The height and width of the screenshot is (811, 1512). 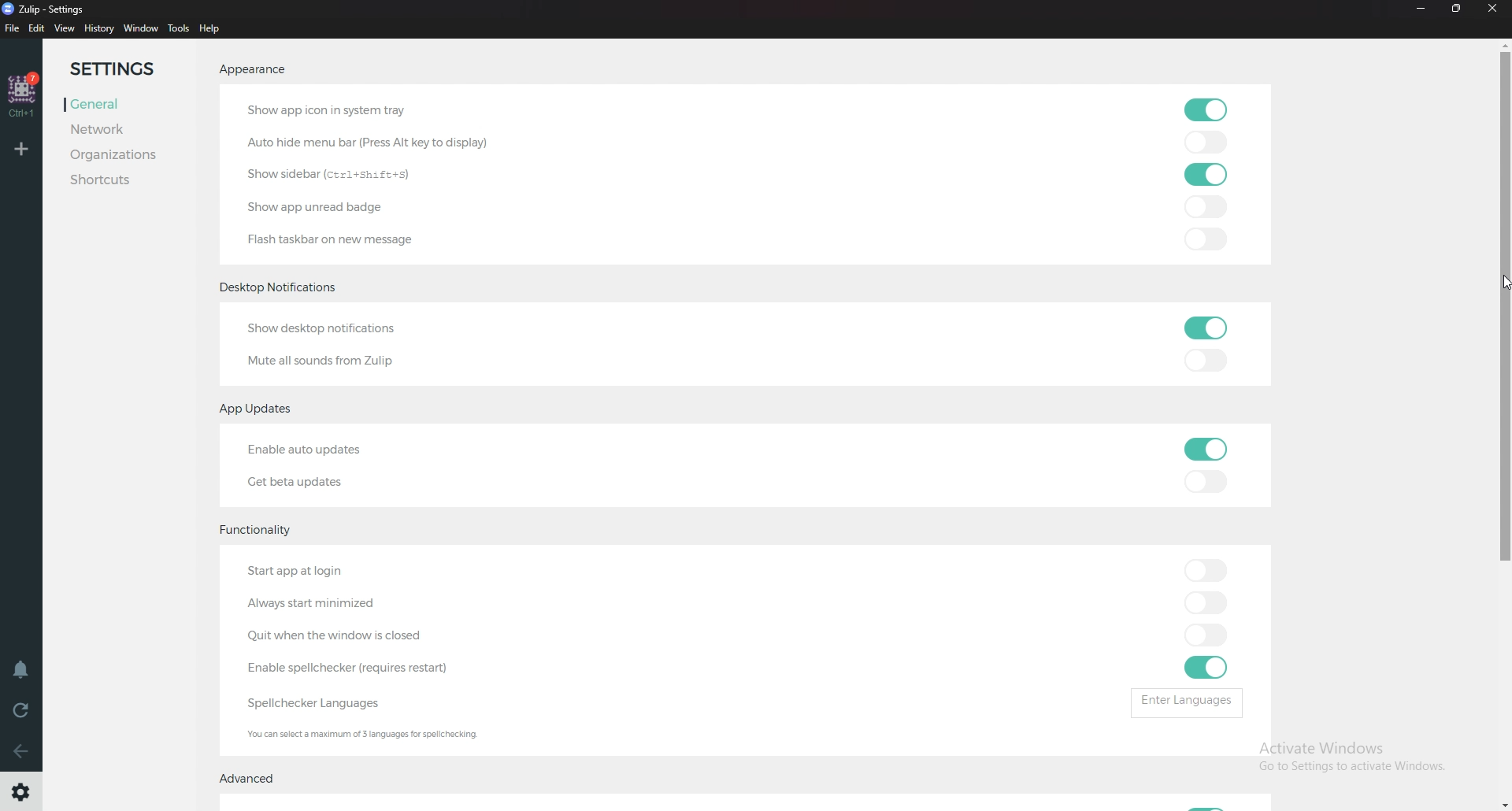 I want to click on Desktop notifications, so click(x=281, y=289).